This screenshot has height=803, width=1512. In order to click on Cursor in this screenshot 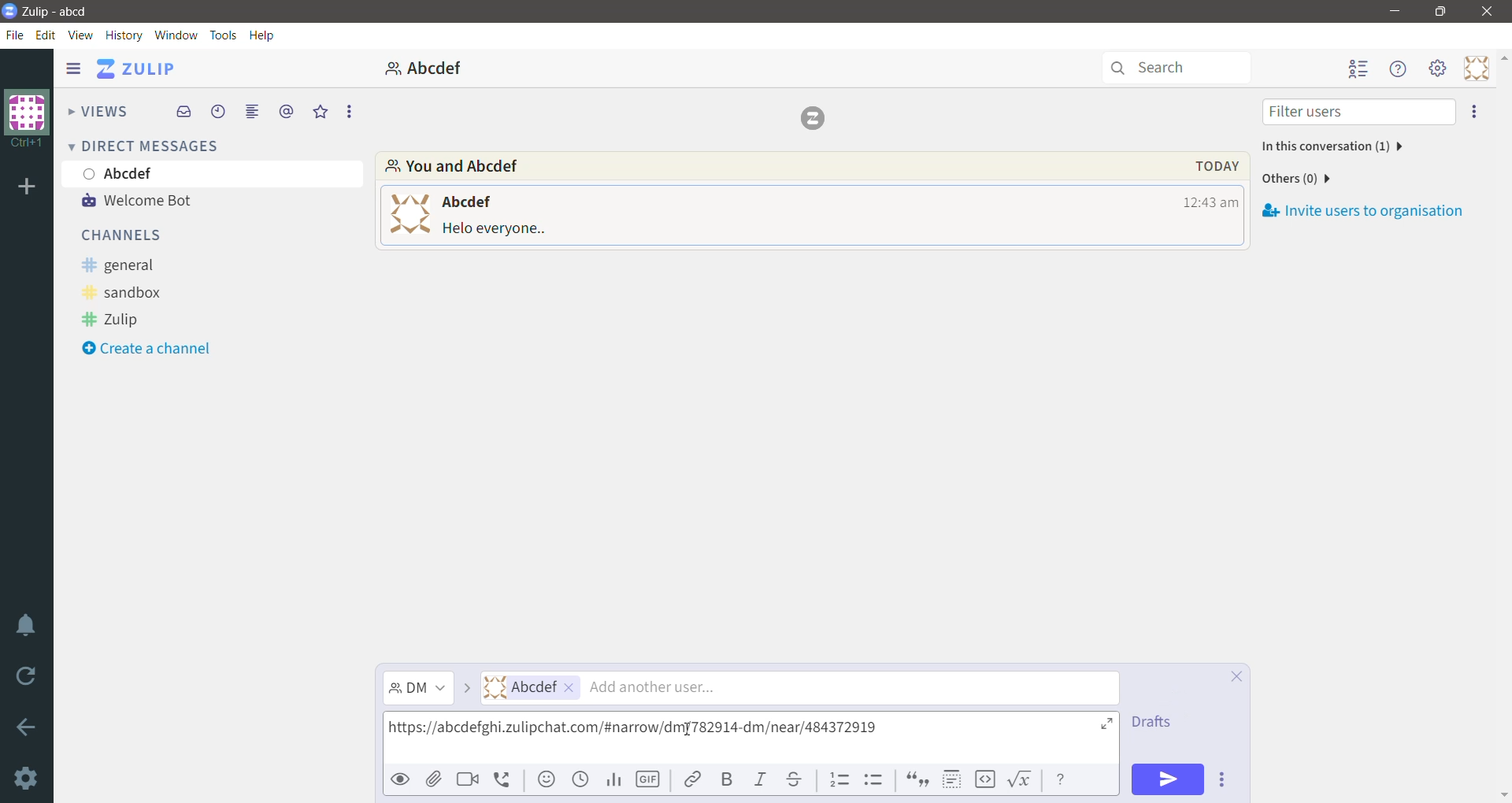, I will do `click(689, 730)`.